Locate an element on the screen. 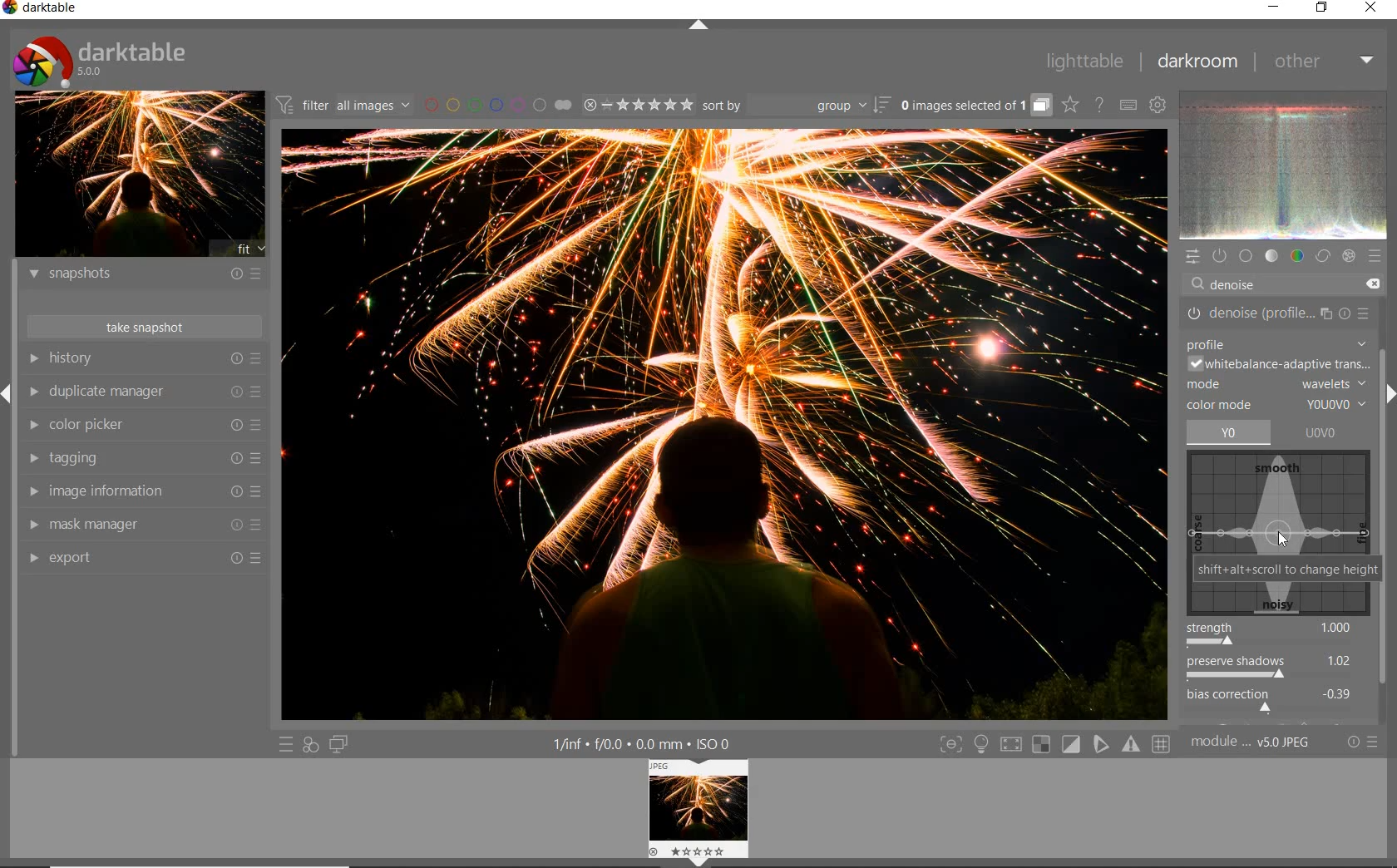 The height and width of the screenshot is (868, 1397). UOVO is located at coordinates (1329, 433).